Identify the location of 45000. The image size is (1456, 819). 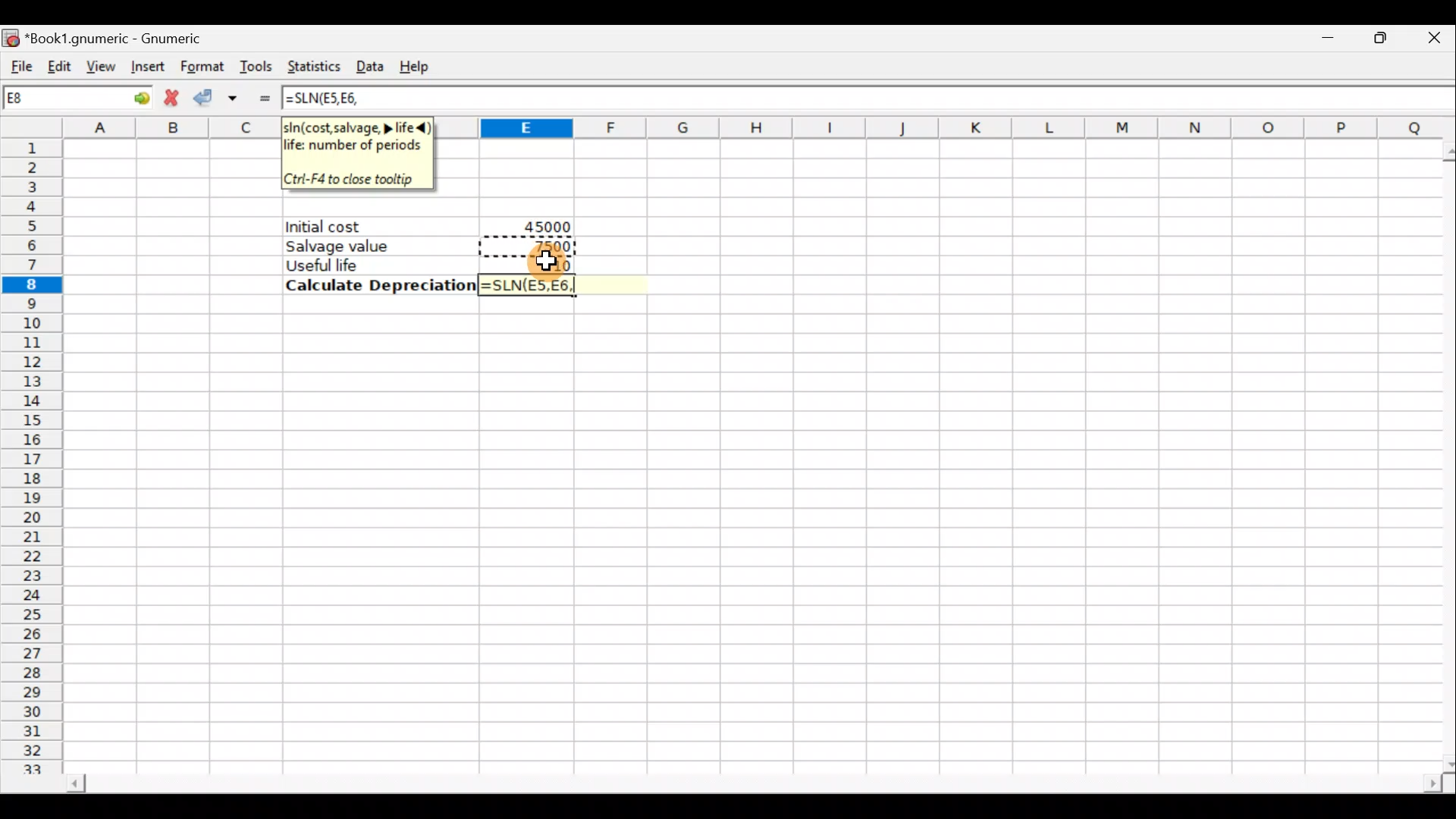
(543, 224).